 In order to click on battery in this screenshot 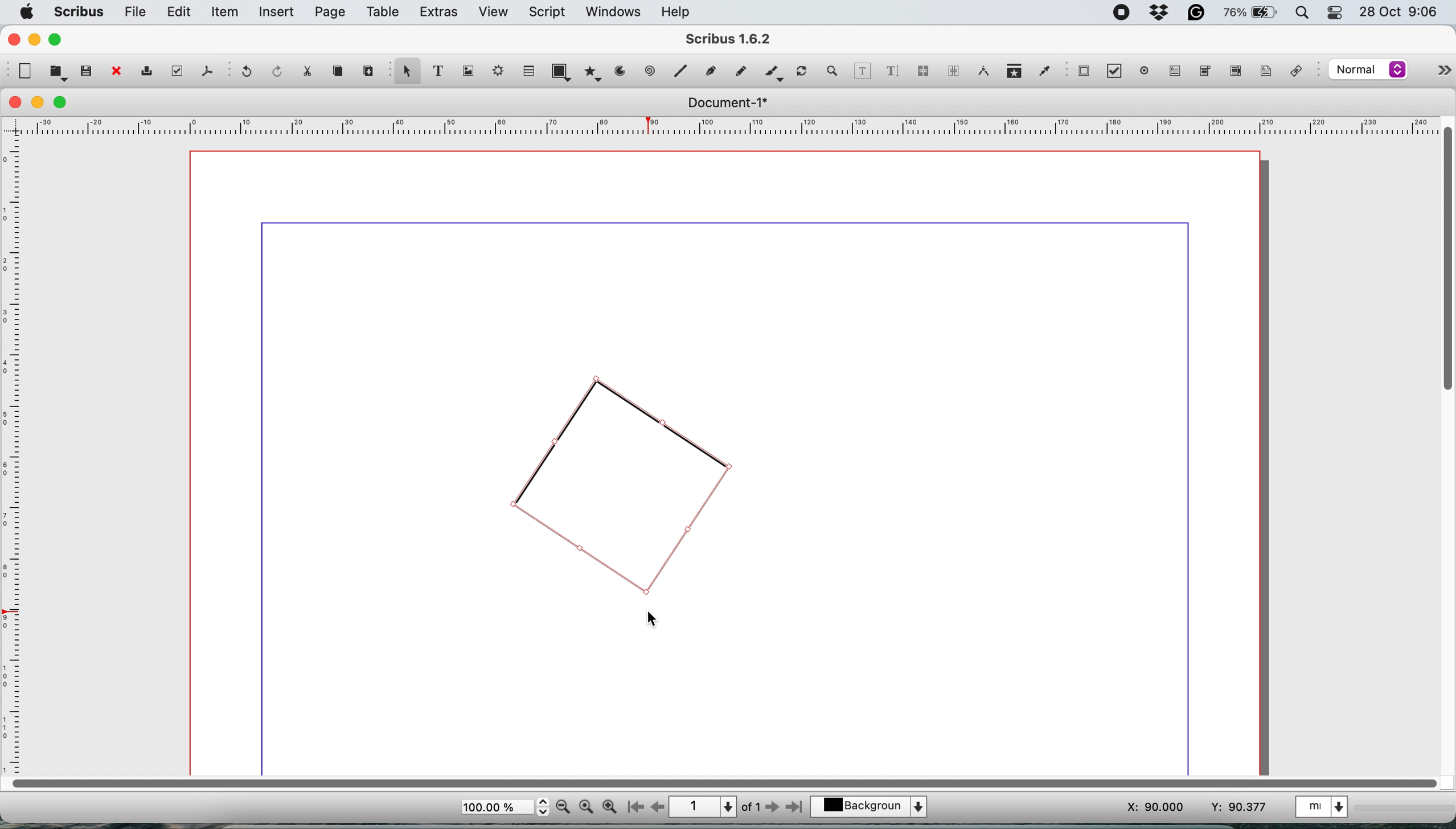, I will do `click(1248, 14)`.